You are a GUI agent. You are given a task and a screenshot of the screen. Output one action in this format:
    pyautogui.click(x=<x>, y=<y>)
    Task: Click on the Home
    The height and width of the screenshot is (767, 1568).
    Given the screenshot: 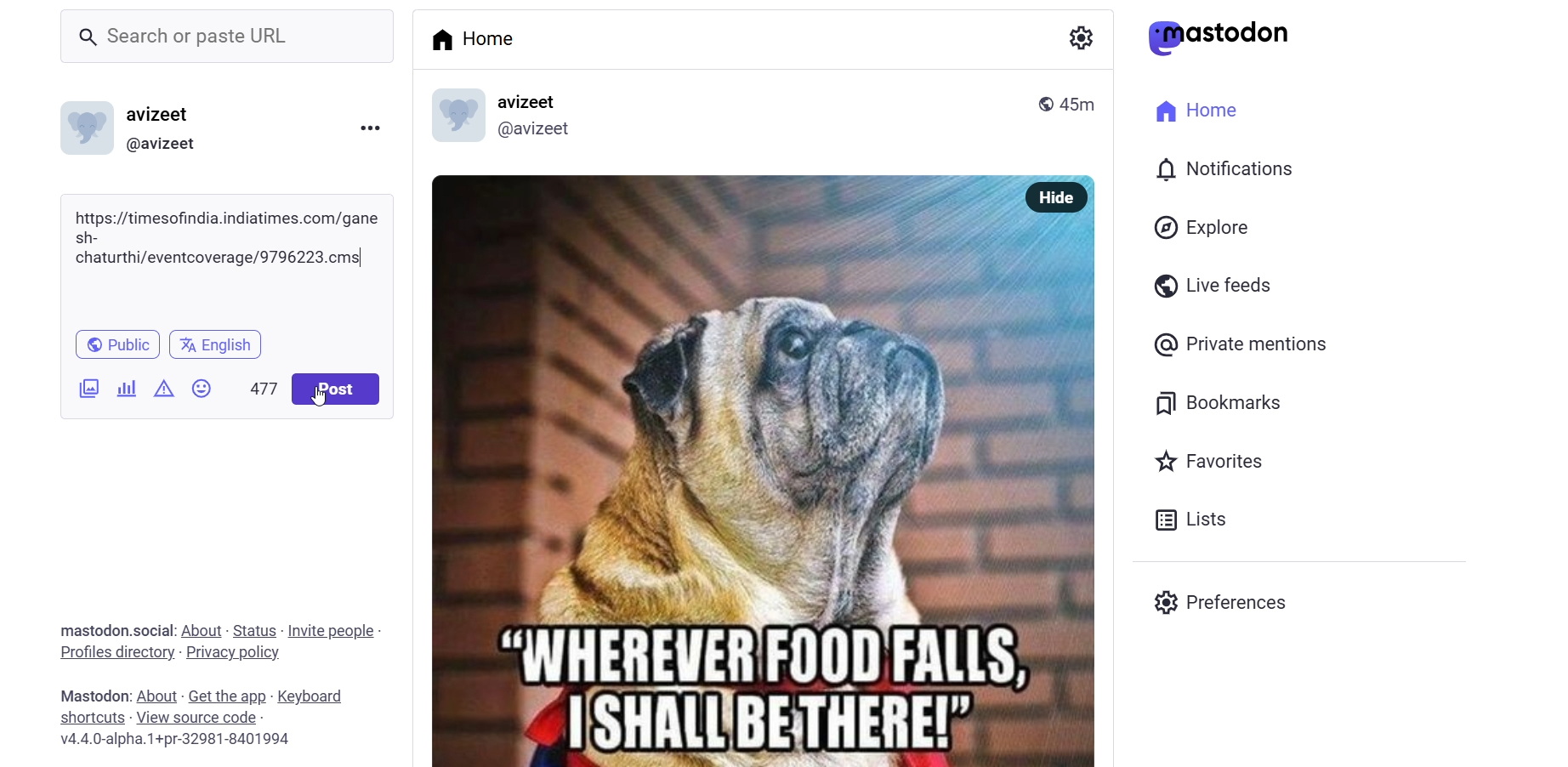 What is the action you would take?
    pyautogui.click(x=1209, y=114)
    